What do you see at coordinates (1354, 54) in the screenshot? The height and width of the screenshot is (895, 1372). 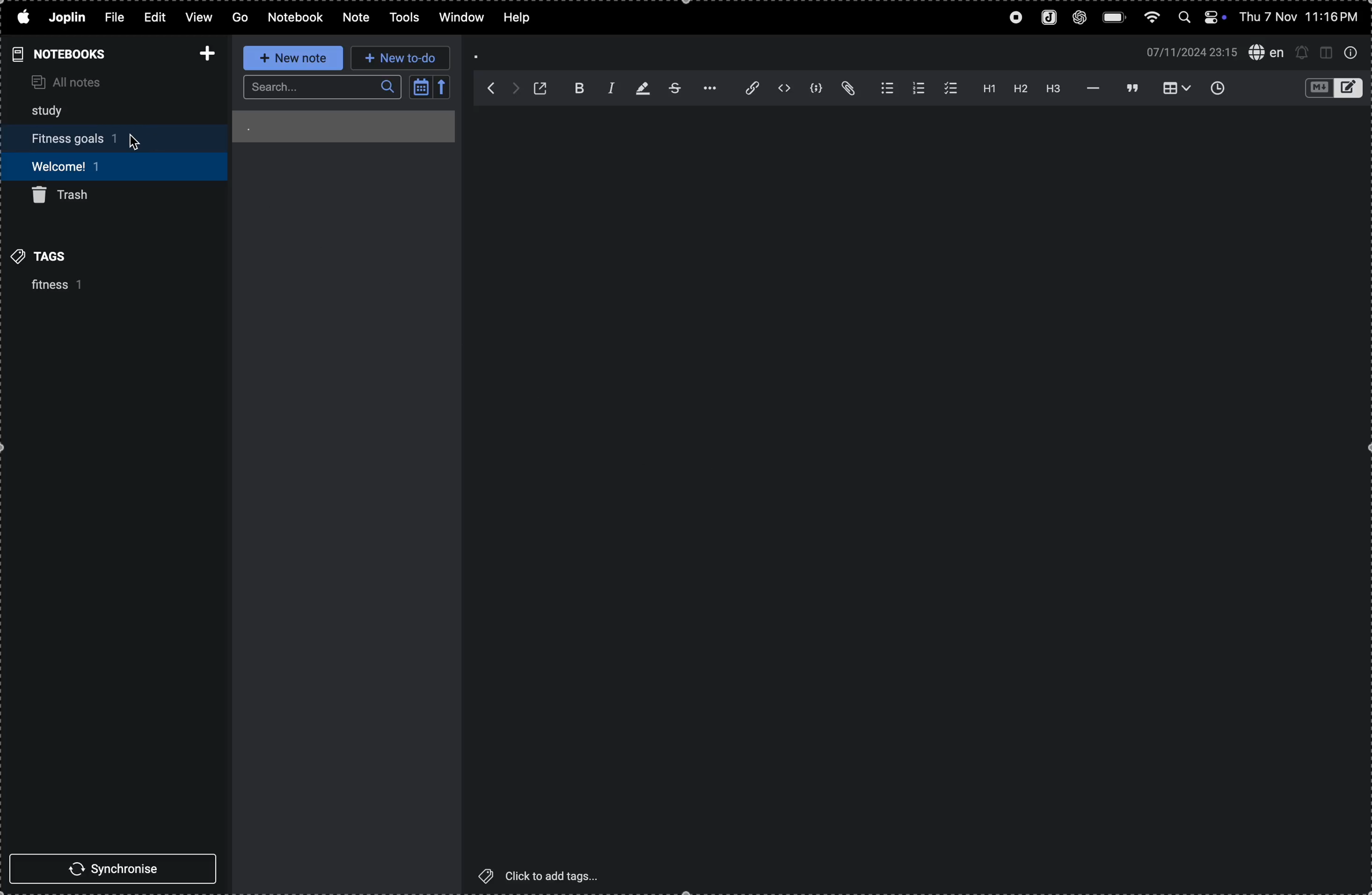 I see `info` at bounding box center [1354, 54].